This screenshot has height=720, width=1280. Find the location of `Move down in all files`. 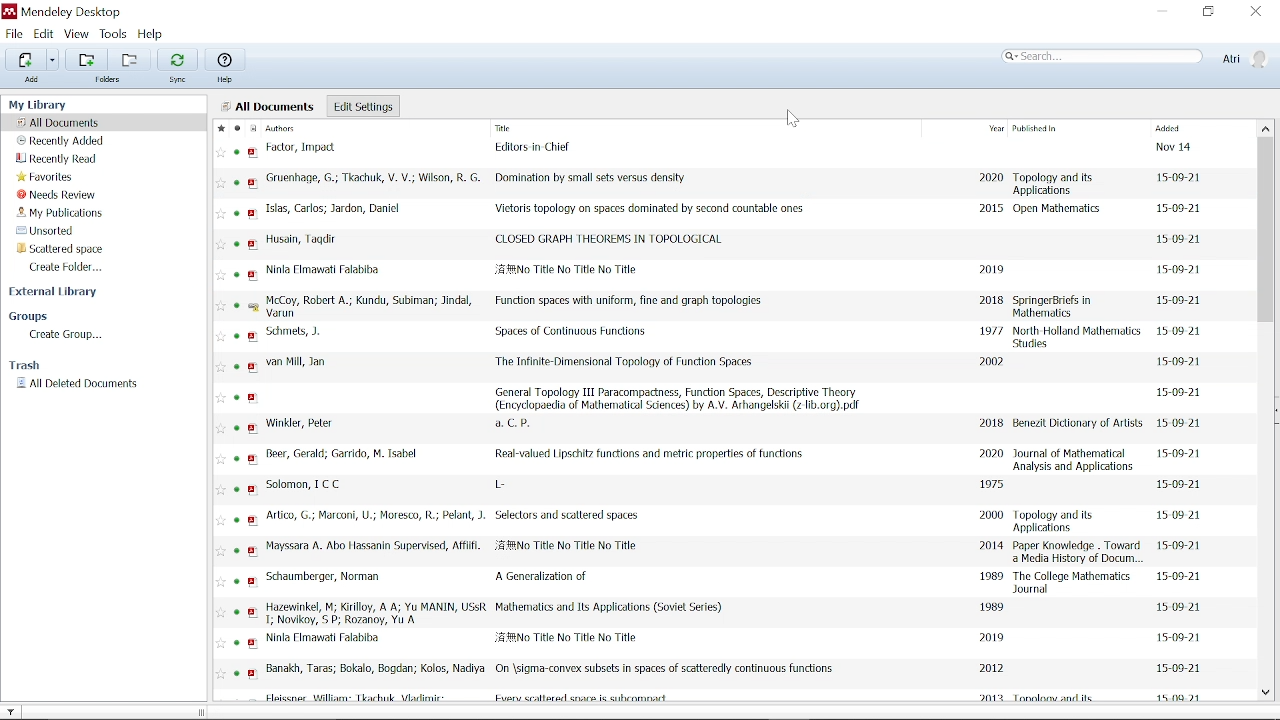

Move down in all files is located at coordinates (1266, 692).